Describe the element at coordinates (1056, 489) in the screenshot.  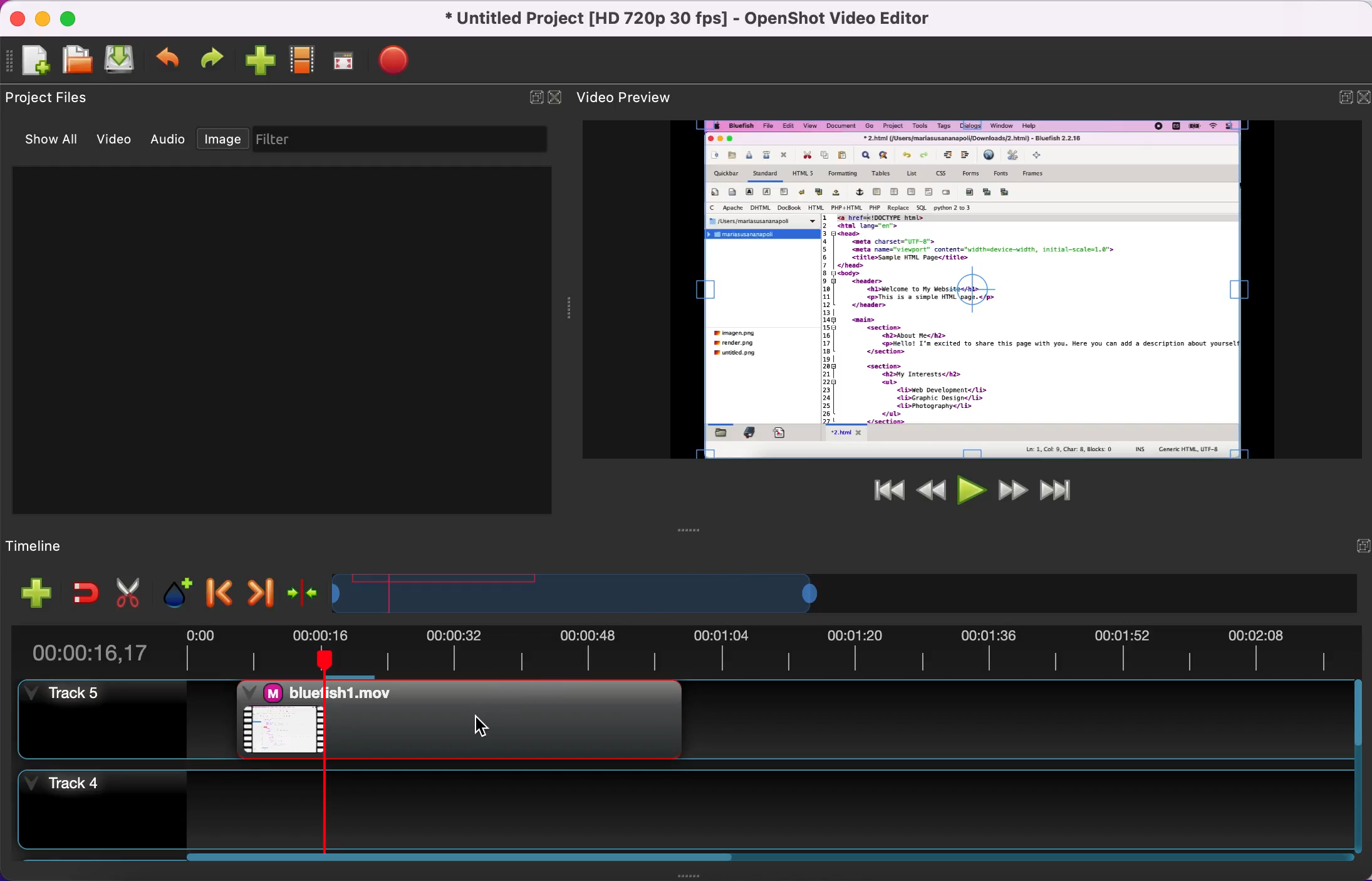
I see `jump to end` at that location.